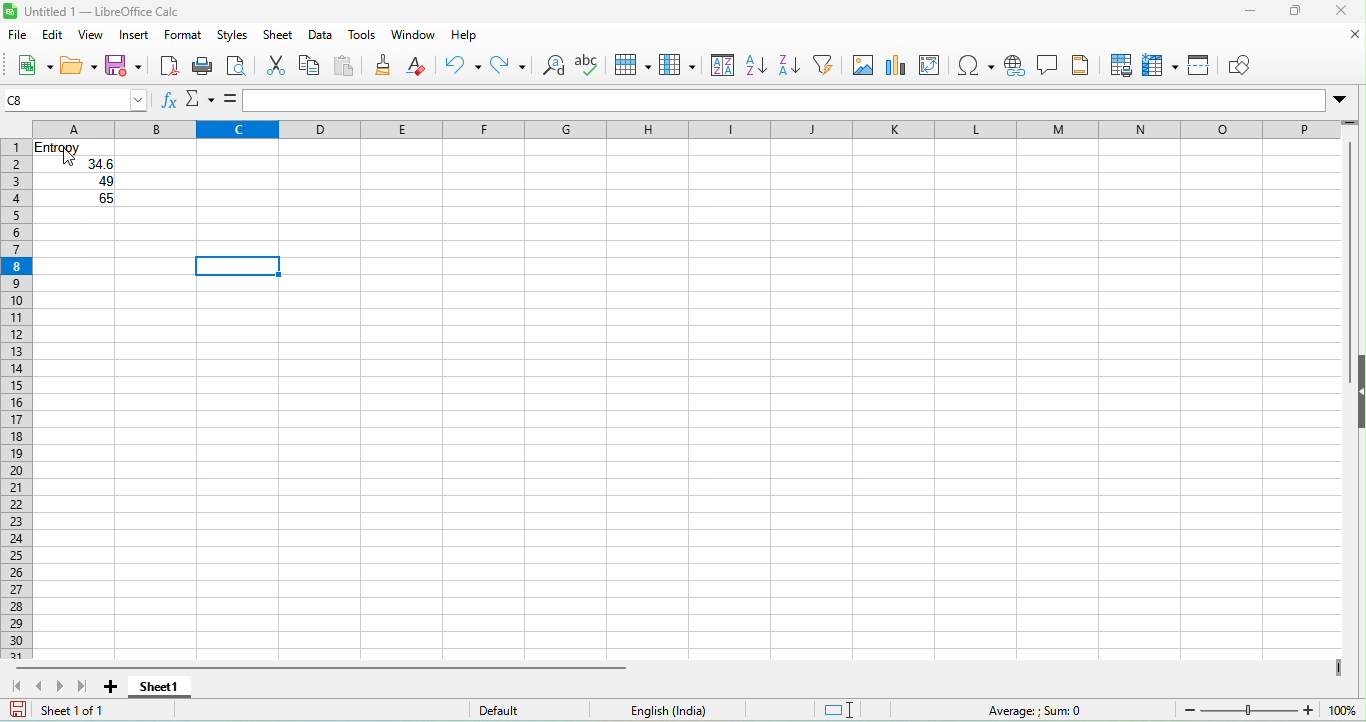 The width and height of the screenshot is (1366, 722). I want to click on selected cell, so click(239, 267).